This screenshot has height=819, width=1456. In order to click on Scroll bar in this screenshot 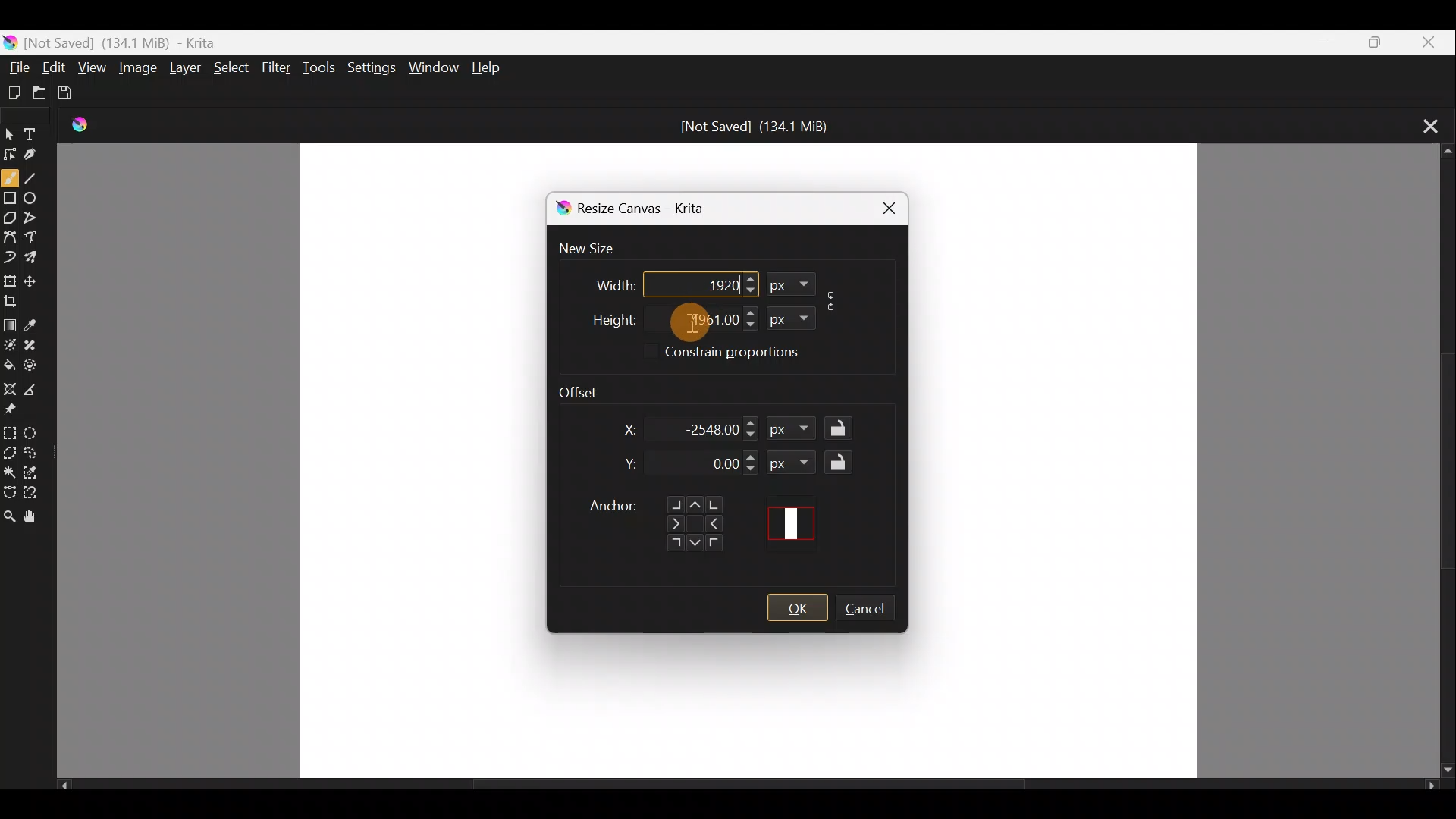, I will do `click(1441, 462)`.